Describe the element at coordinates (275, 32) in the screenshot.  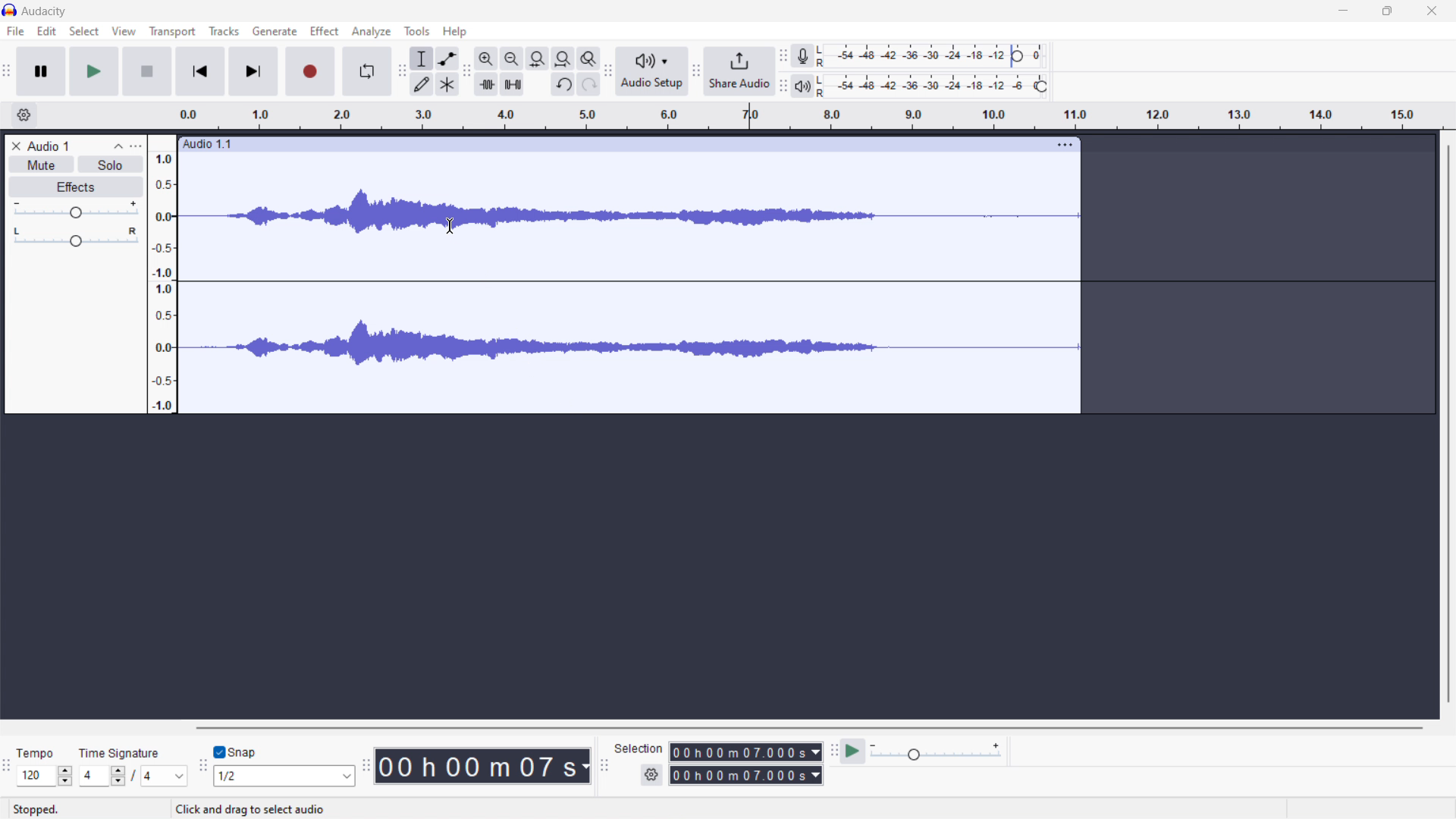
I see `generate` at that location.